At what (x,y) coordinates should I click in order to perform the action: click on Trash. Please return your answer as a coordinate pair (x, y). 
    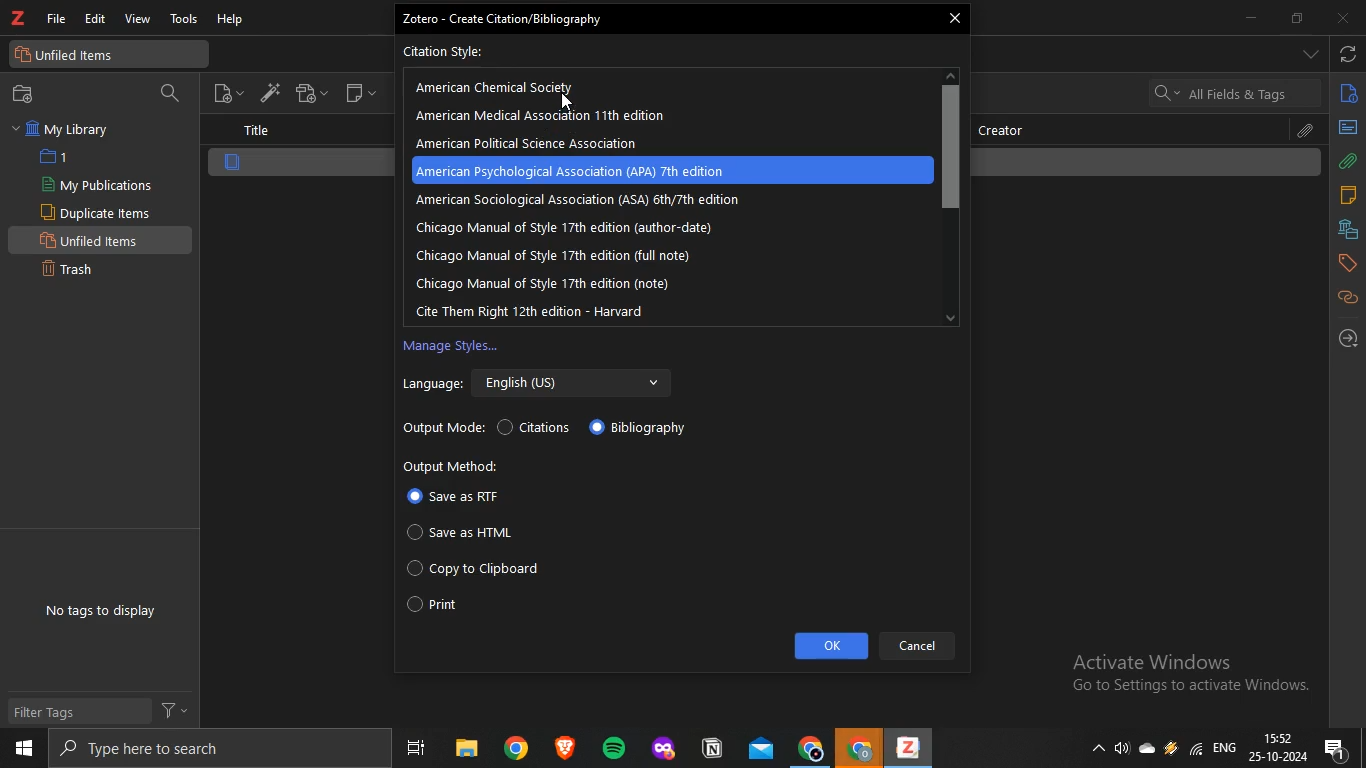
    Looking at the image, I should click on (76, 267).